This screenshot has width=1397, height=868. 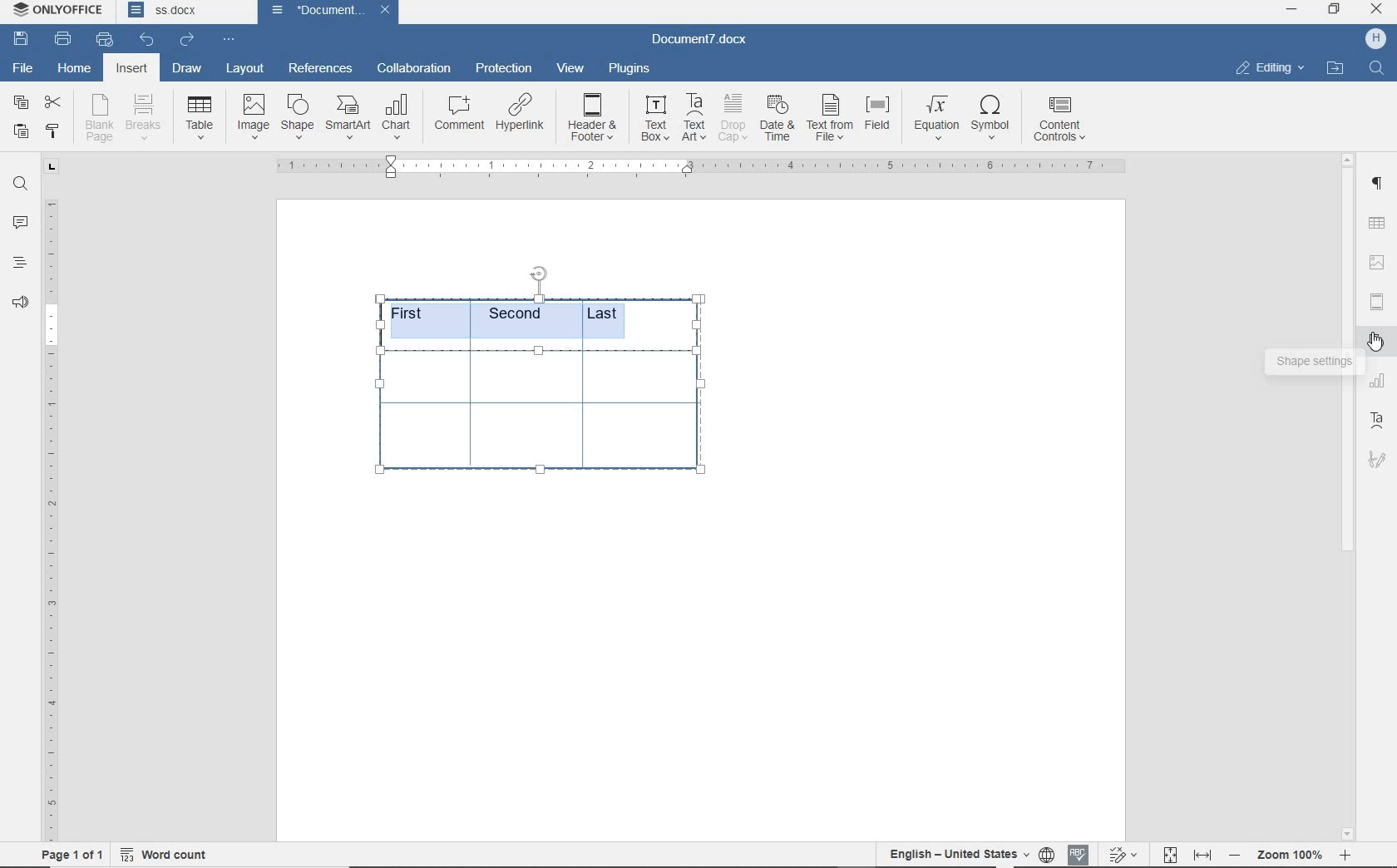 I want to click on references, so click(x=320, y=66).